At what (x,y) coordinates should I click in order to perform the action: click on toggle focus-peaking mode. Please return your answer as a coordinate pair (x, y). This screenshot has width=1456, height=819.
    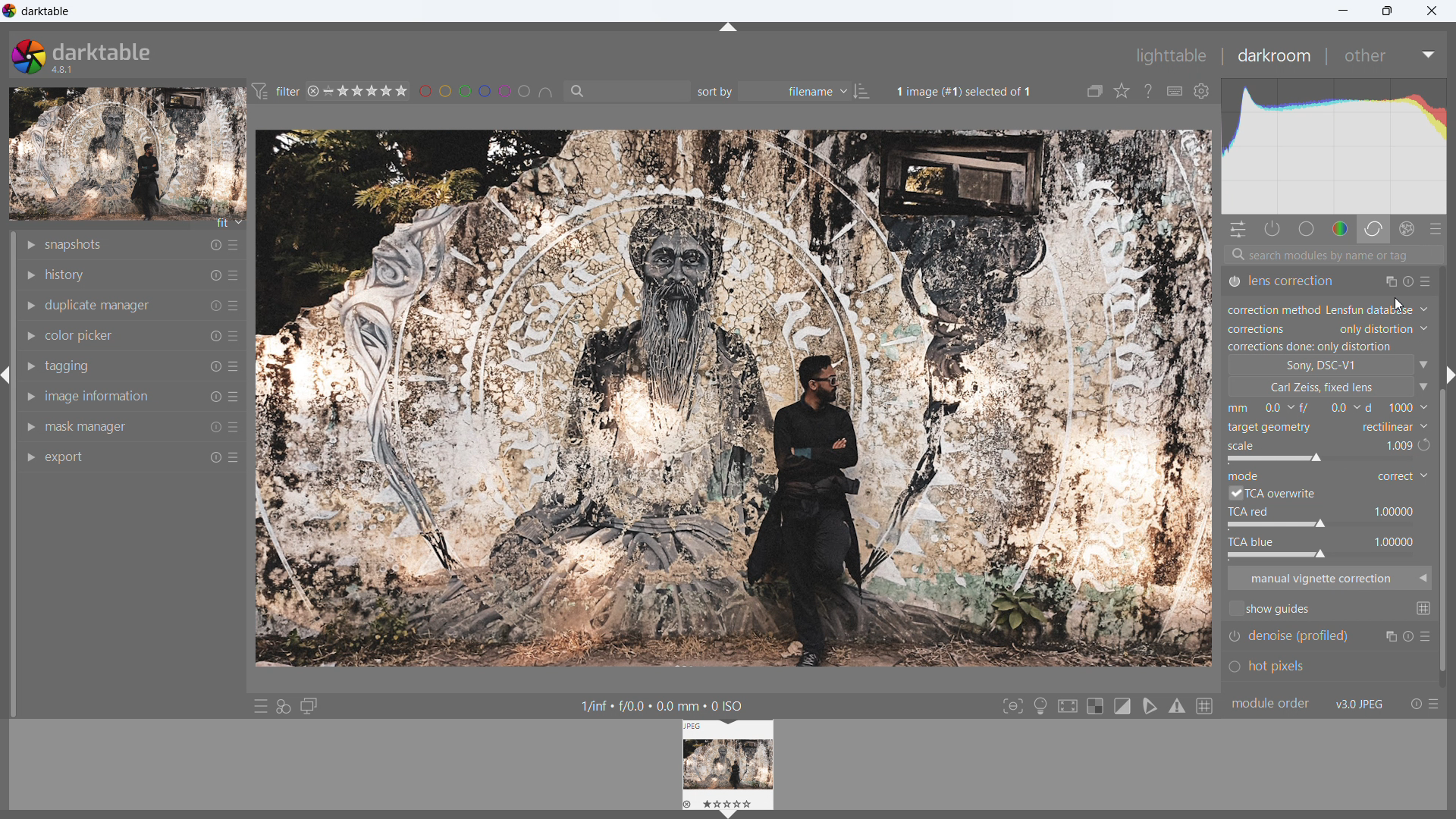
    Looking at the image, I should click on (1012, 706).